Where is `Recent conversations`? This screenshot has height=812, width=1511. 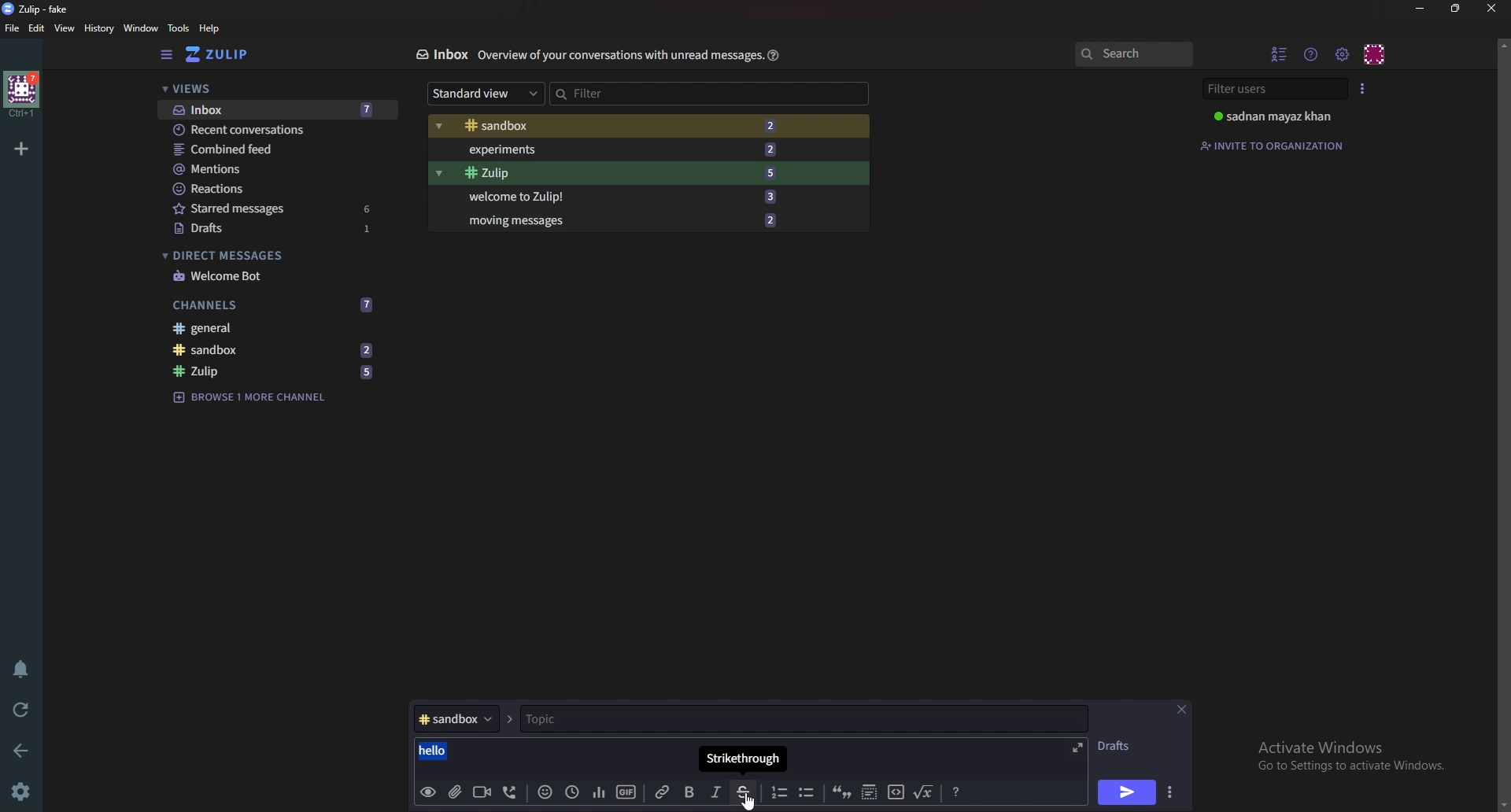 Recent conversations is located at coordinates (283, 130).